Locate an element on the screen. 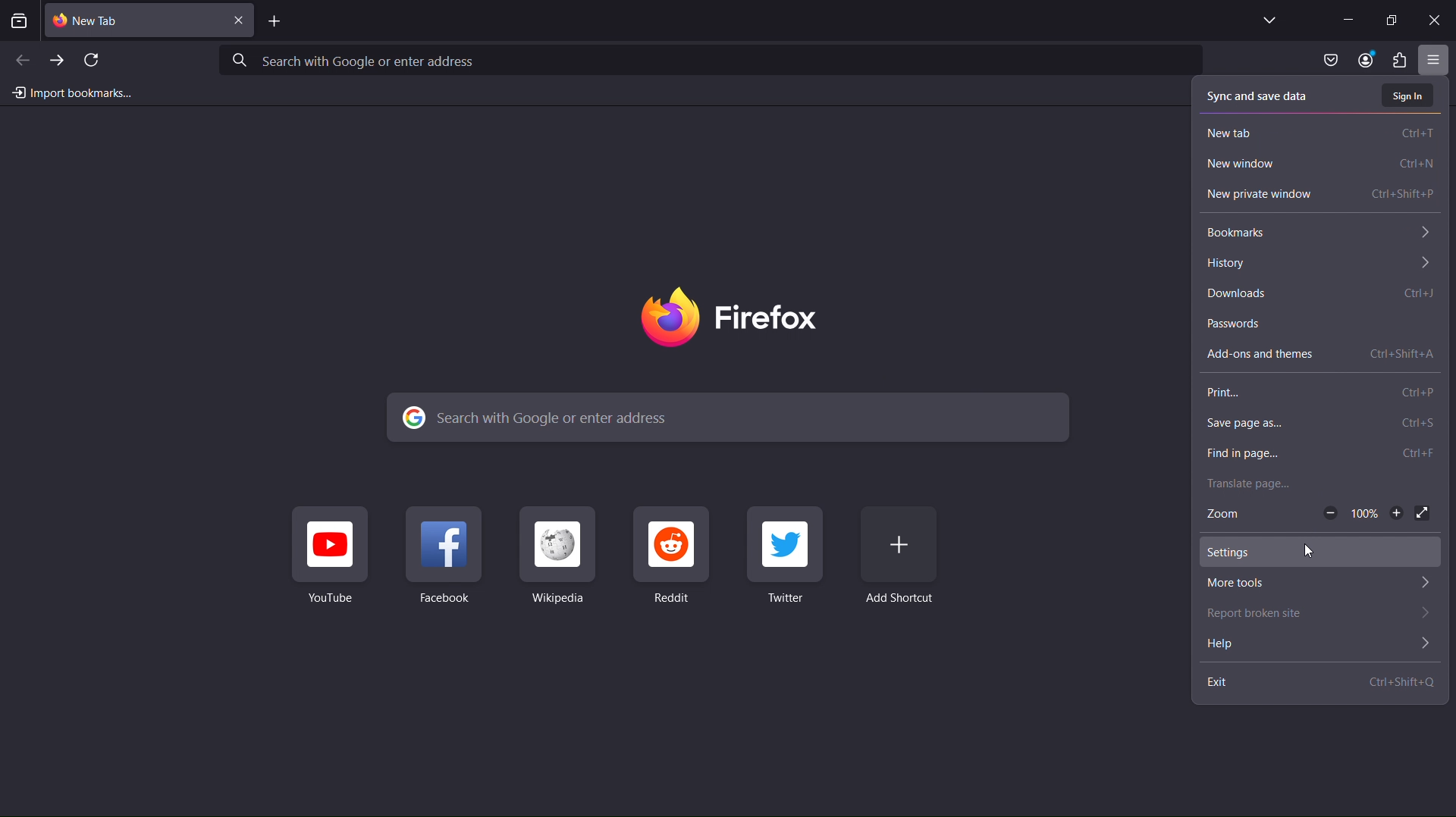  New Tab is located at coordinates (1323, 131).